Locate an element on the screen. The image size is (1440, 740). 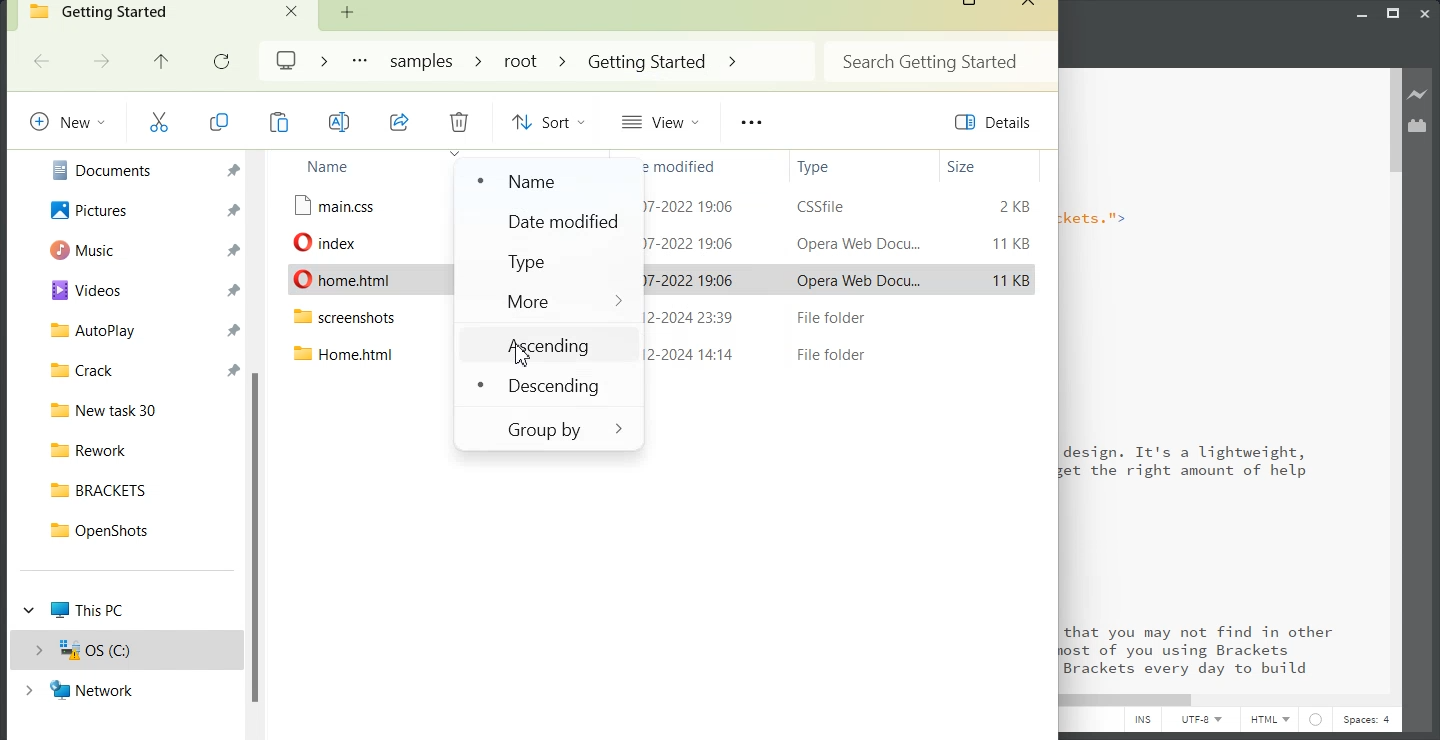
Add new Folder is located at coordinates (347, 12).